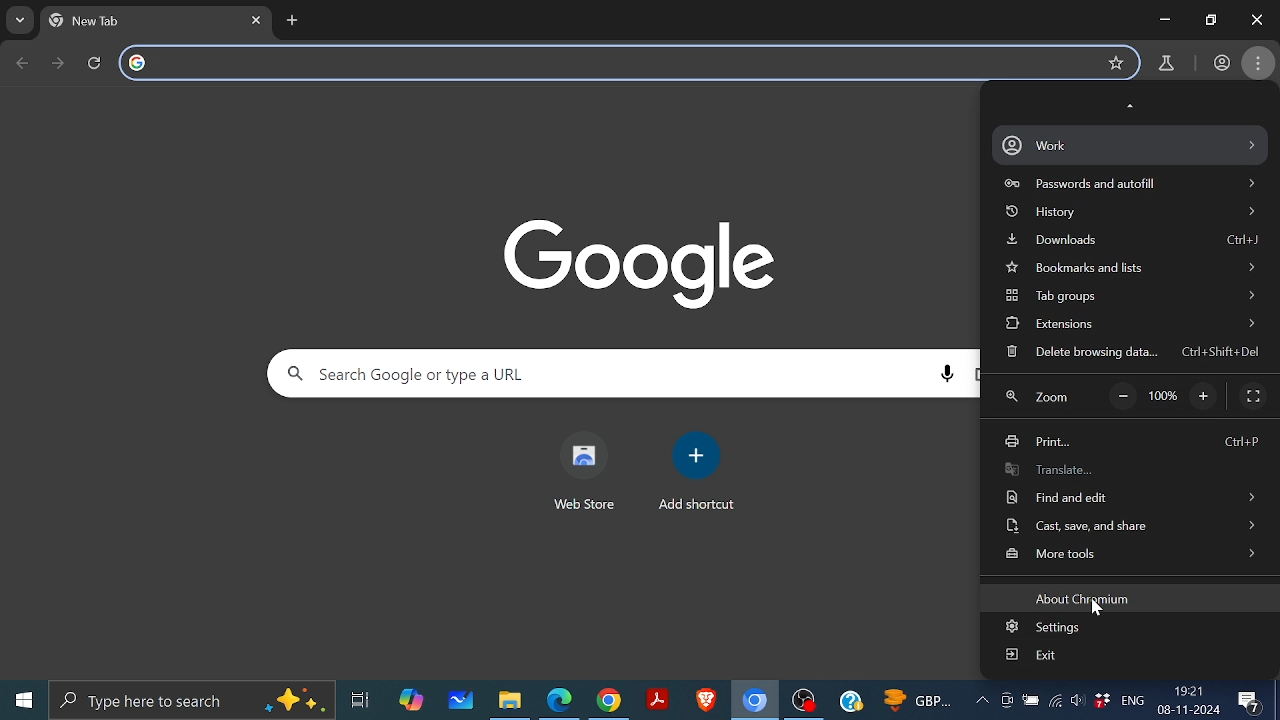  I want to click on Full screen, so click(1253, 395).